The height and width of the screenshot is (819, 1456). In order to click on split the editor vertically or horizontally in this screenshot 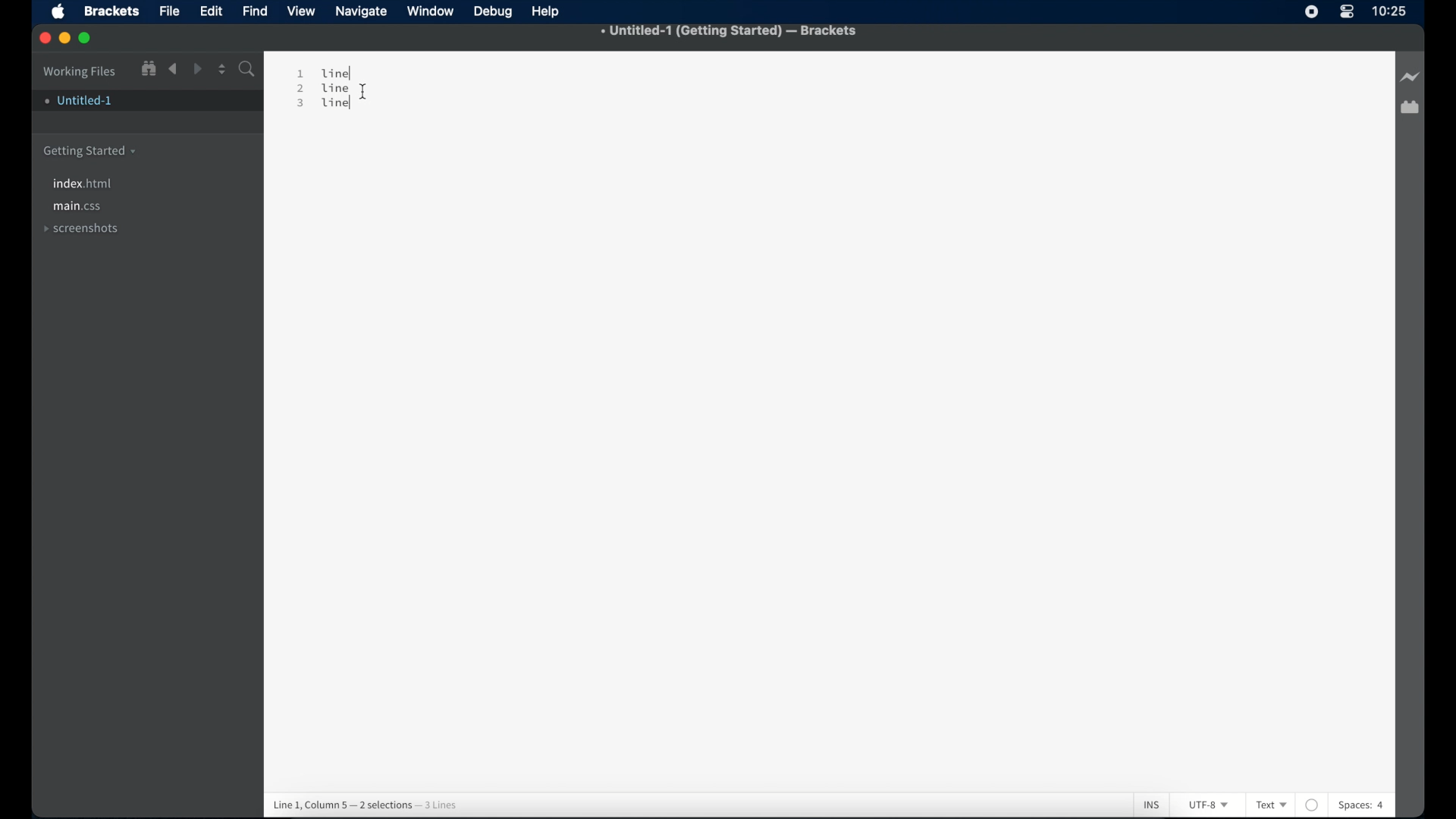, I will do `click(222, 70)`.